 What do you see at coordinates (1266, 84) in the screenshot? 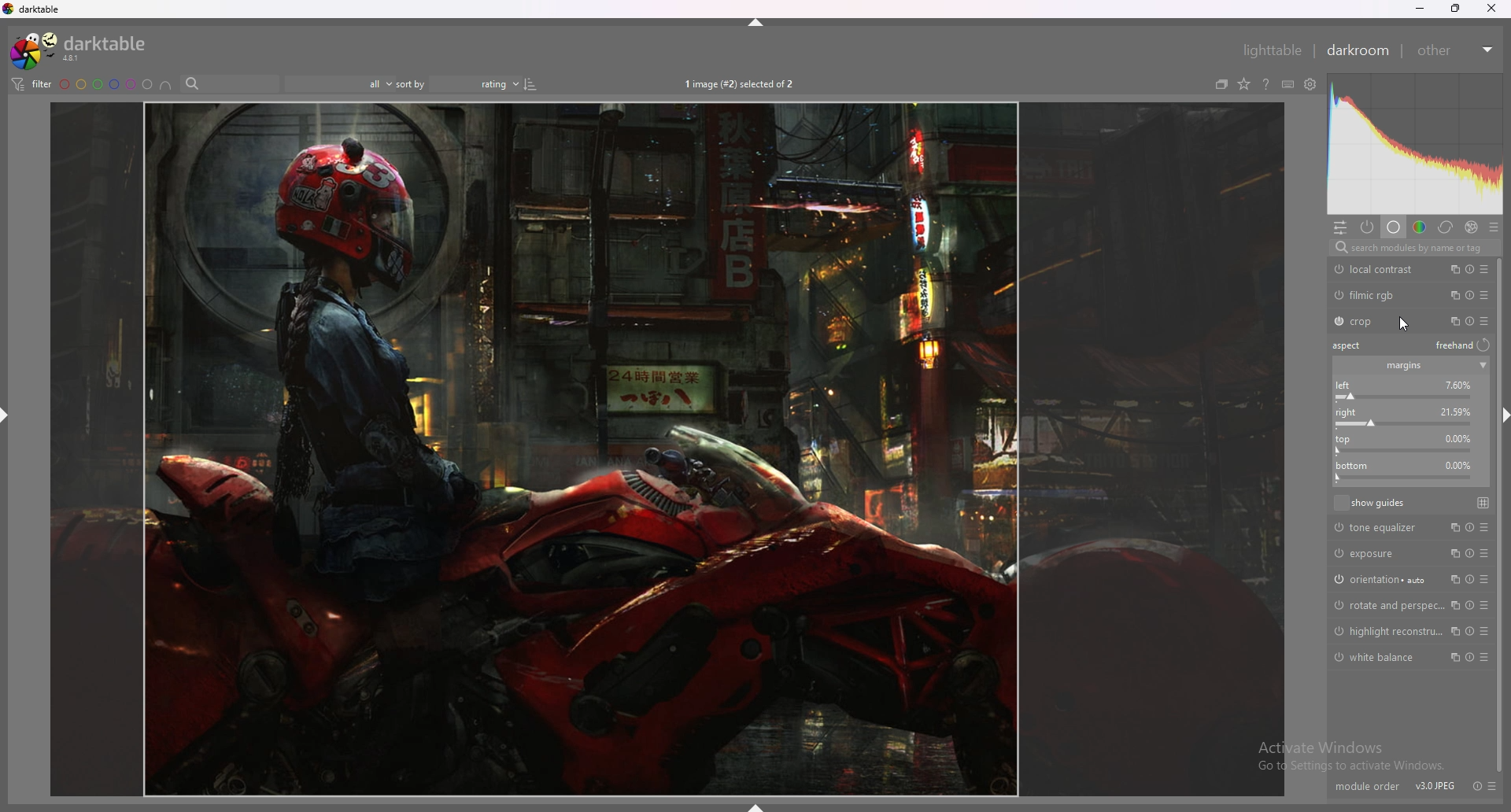
I see `online help` at bounding box center [1266, 84].